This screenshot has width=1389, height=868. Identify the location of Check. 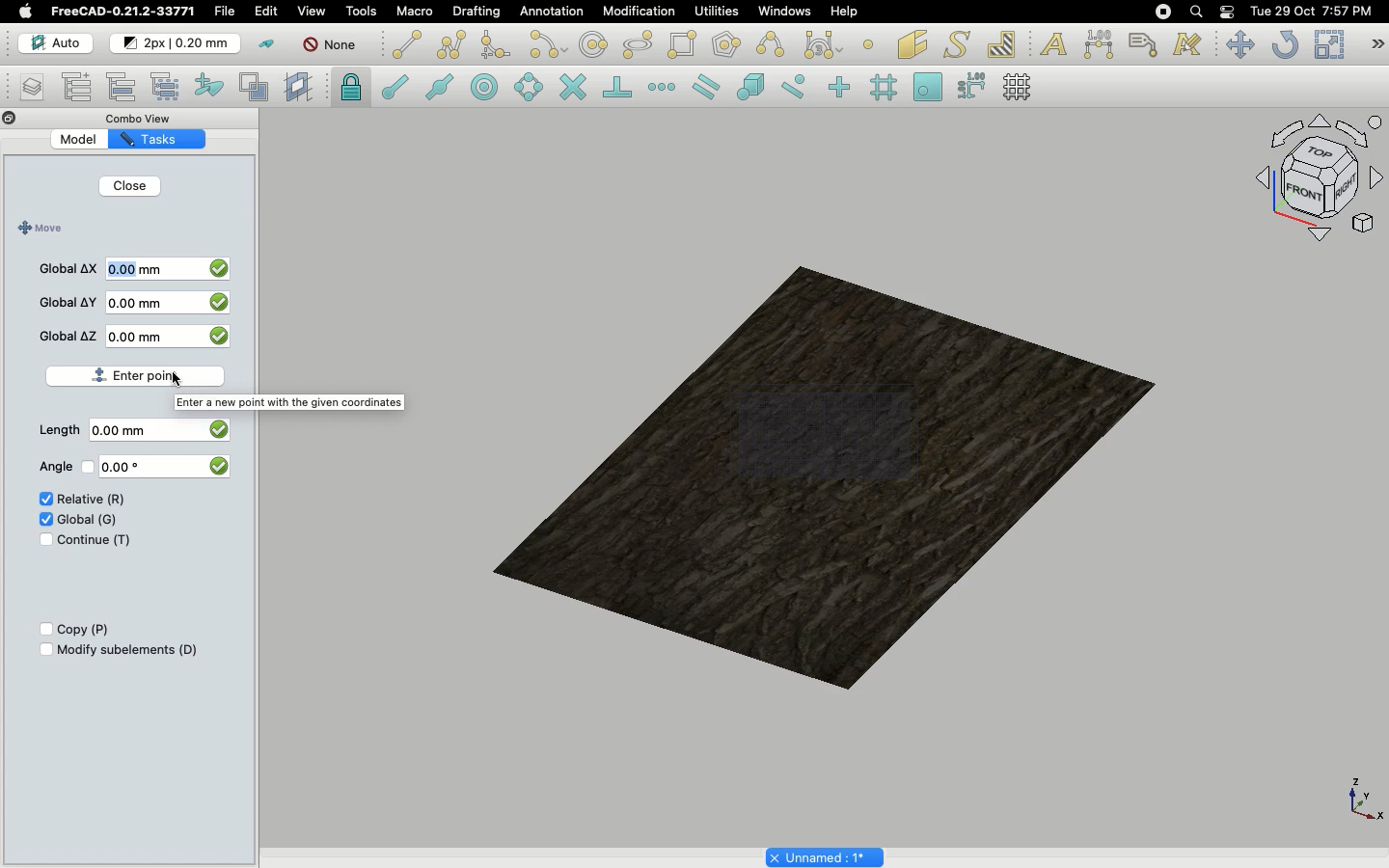
(40, 542).